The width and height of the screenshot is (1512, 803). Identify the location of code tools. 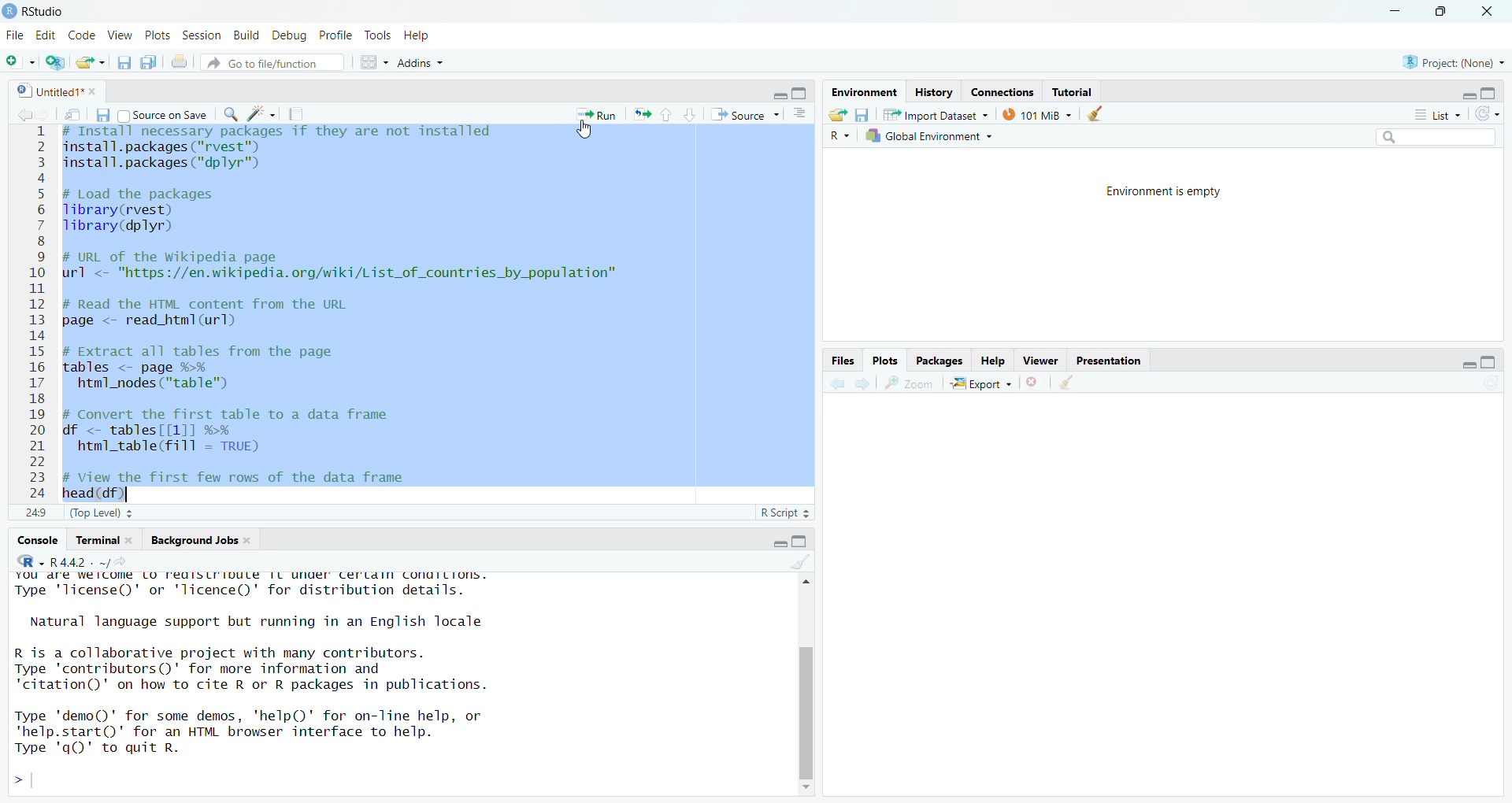
(261, 114).